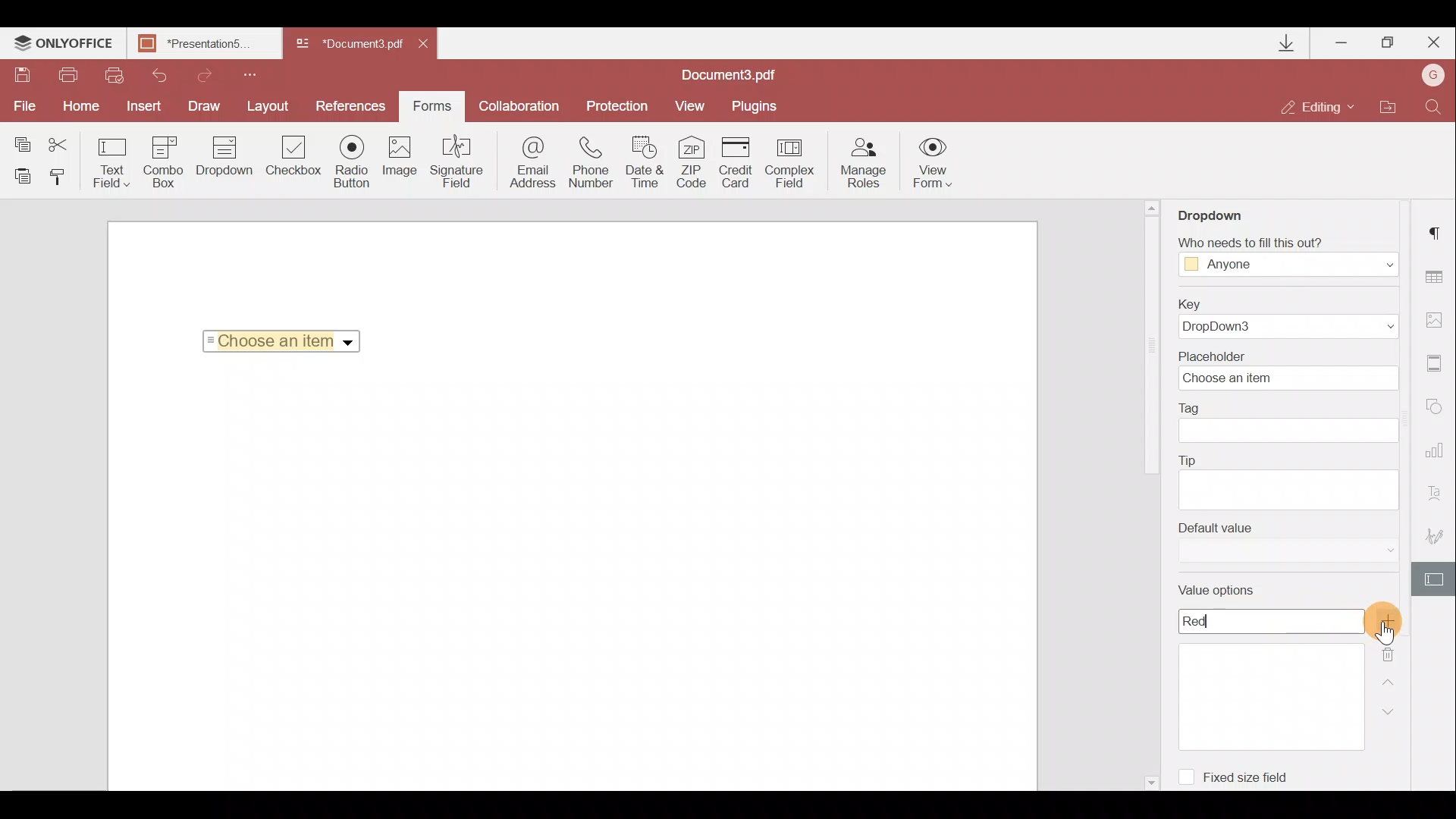  What do you see at coordinates (350, 343) in the screenshot?
I see `Dropdown` at bounding box center [350, 343].